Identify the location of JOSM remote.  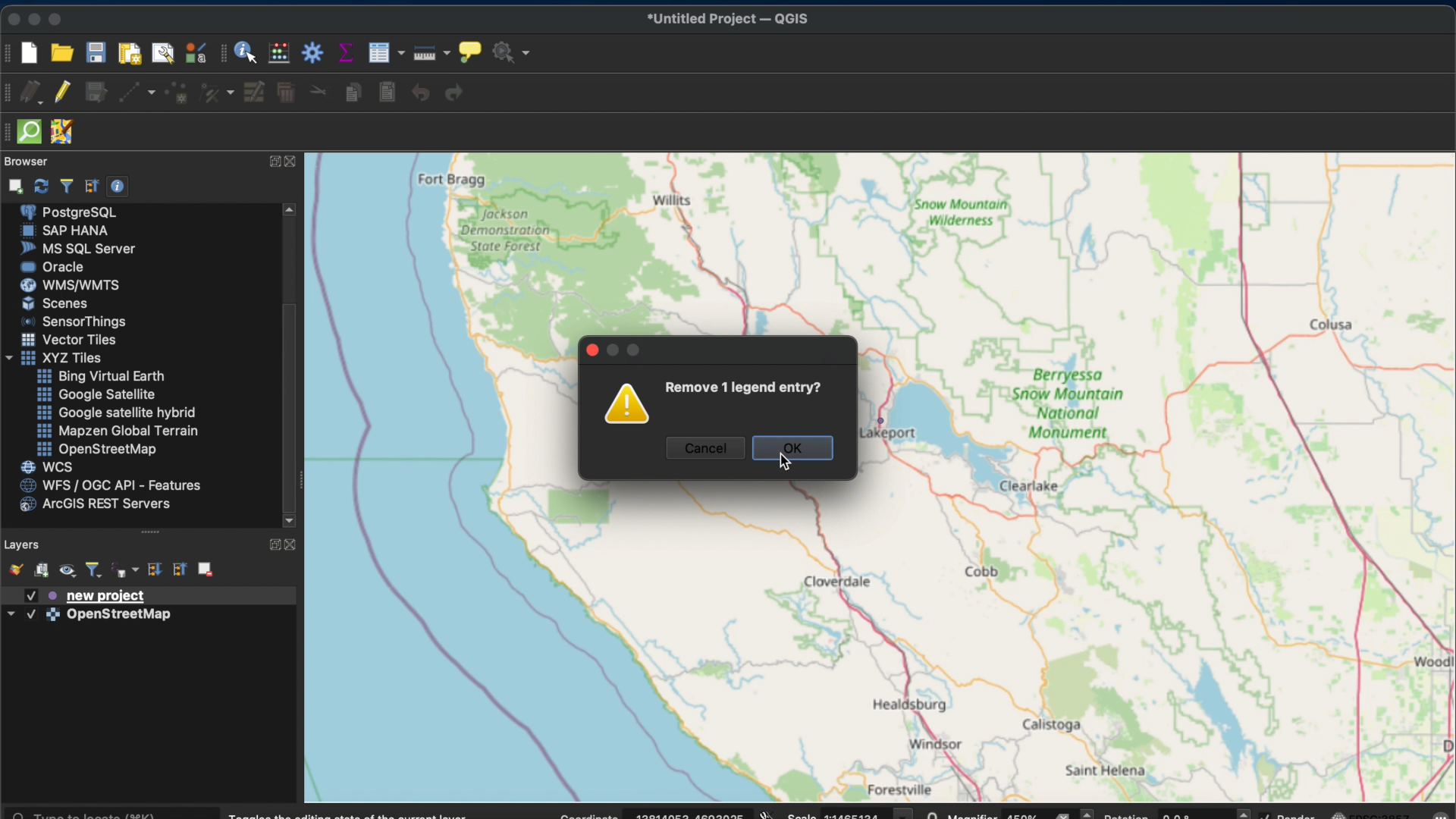
(61, 132).